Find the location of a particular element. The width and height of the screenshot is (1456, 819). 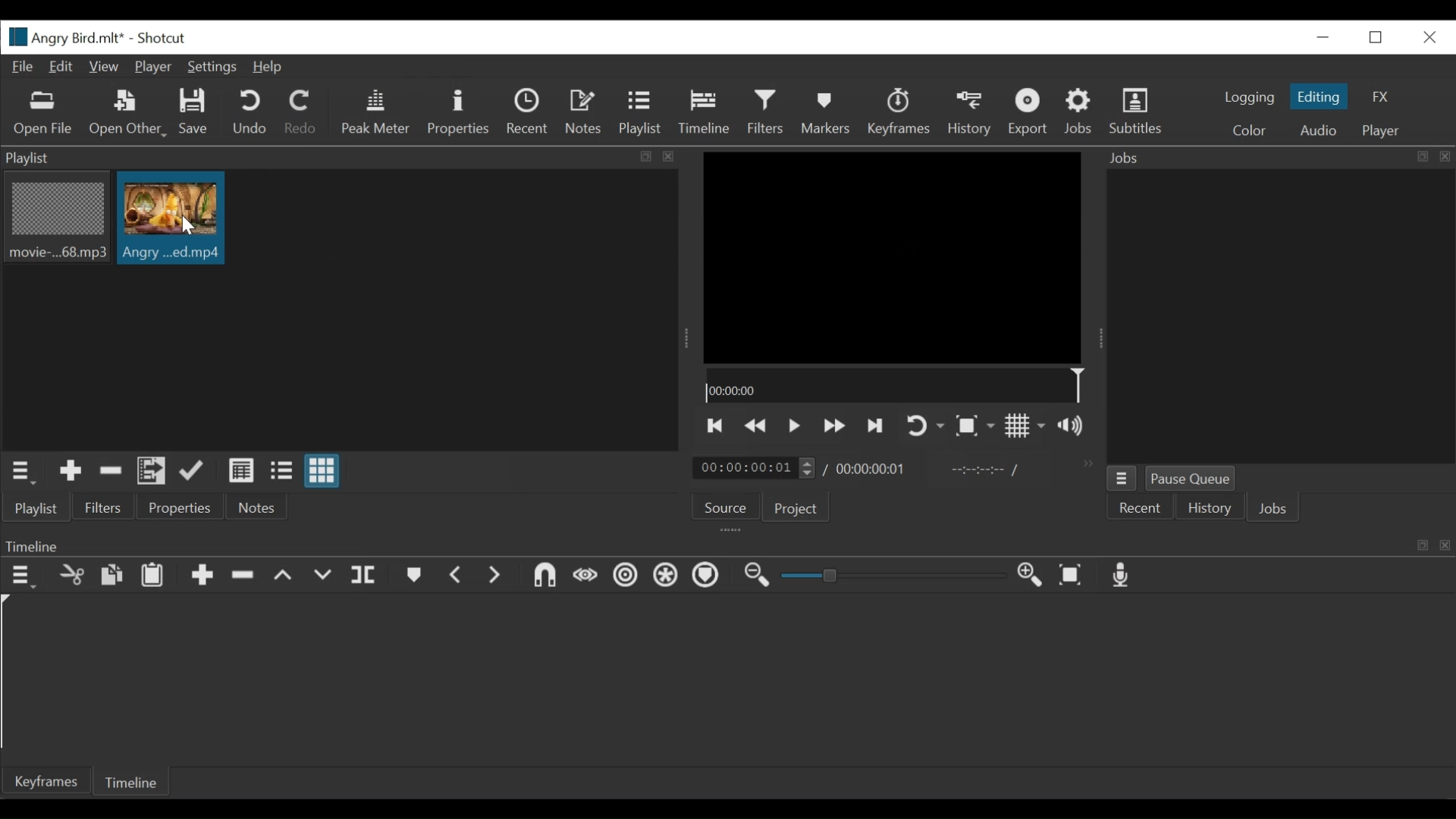

Copy is located at coordinates (113, 577).